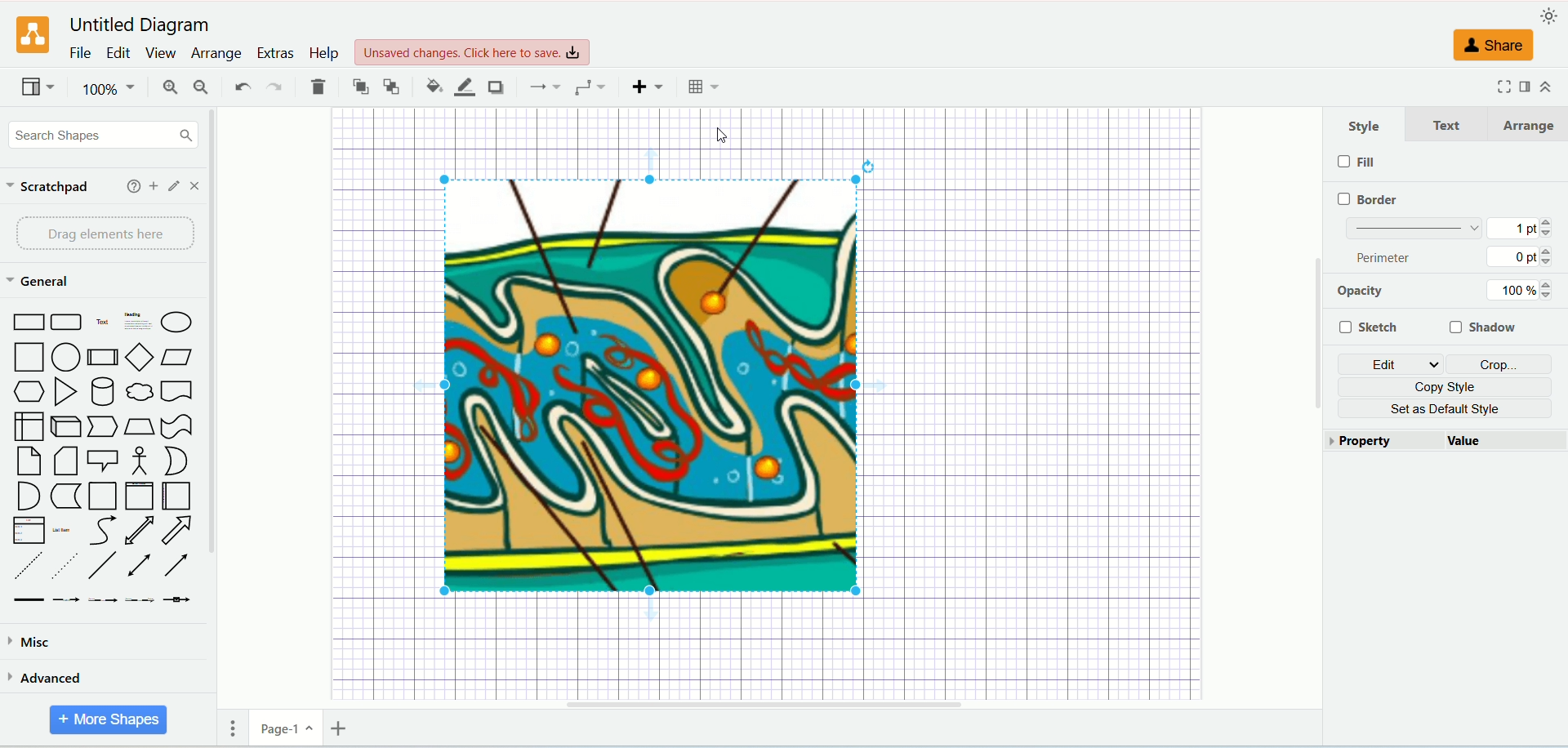  What do you see at coordinates (65, 601) in the screenshot?
I see `Connector with Label` at bounding box center [65, 601].